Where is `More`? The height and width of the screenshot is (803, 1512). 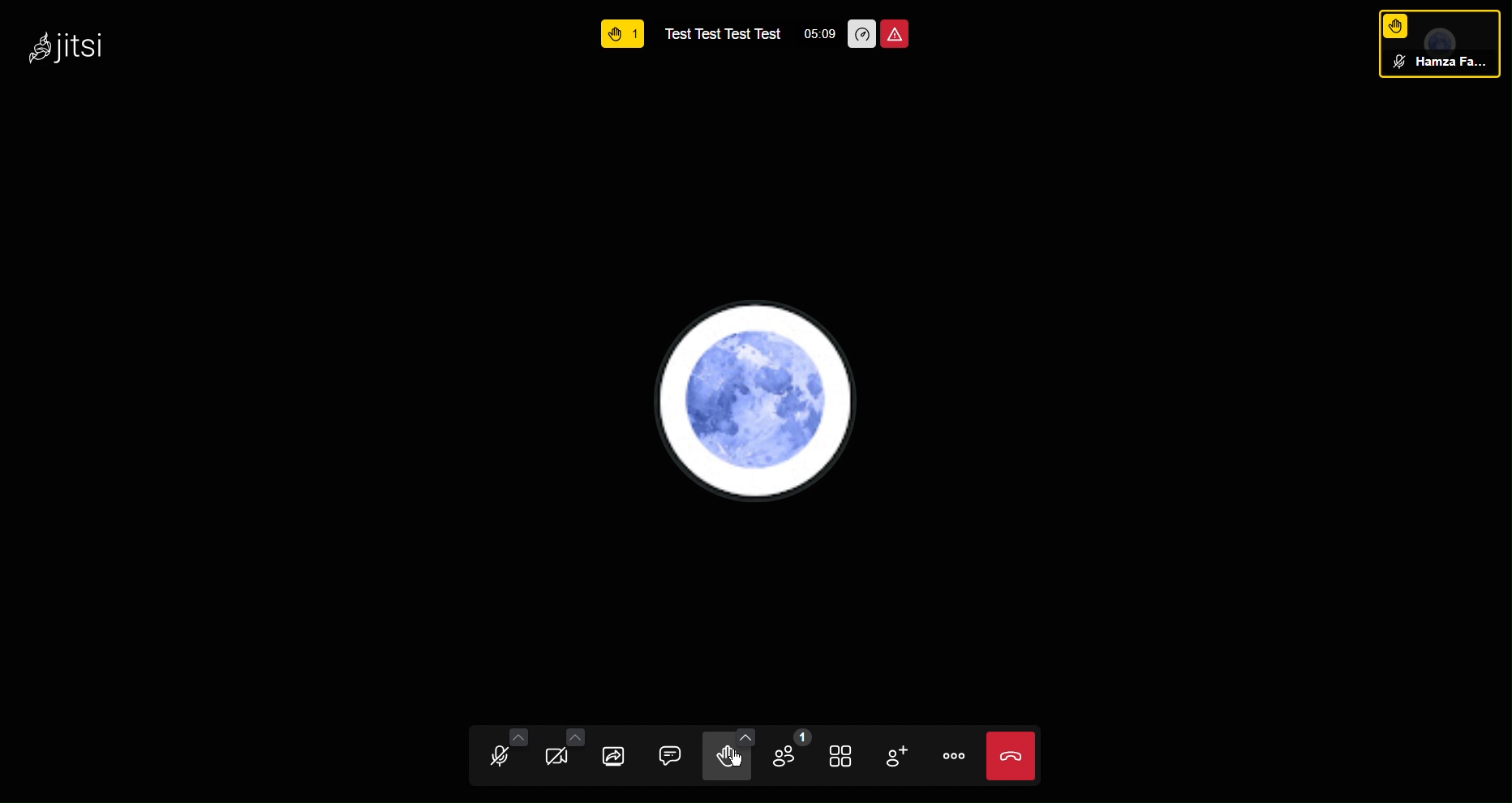
More is located at coordinates (956, 756).